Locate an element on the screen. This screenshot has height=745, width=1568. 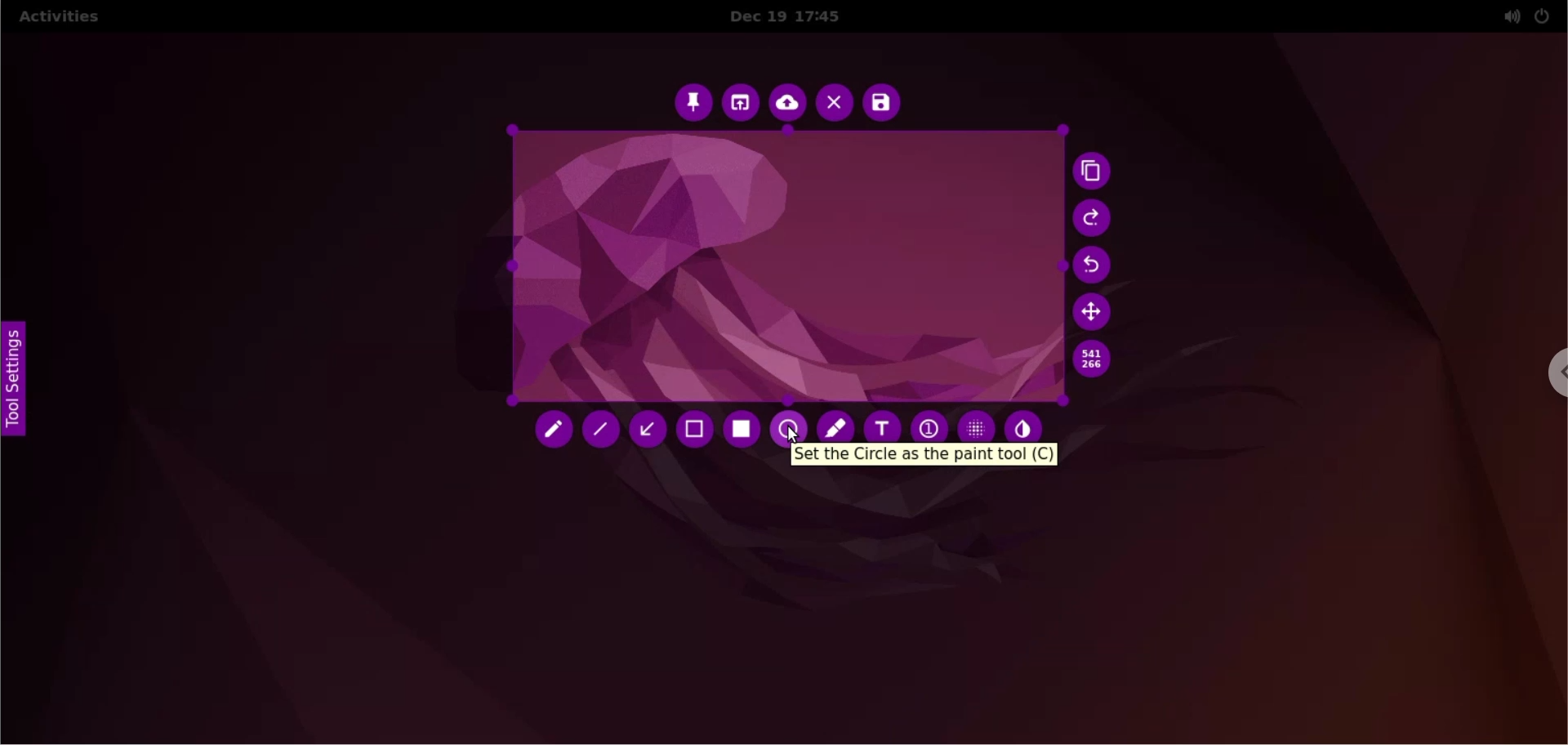
line tool is located at coordinates (604, 433).